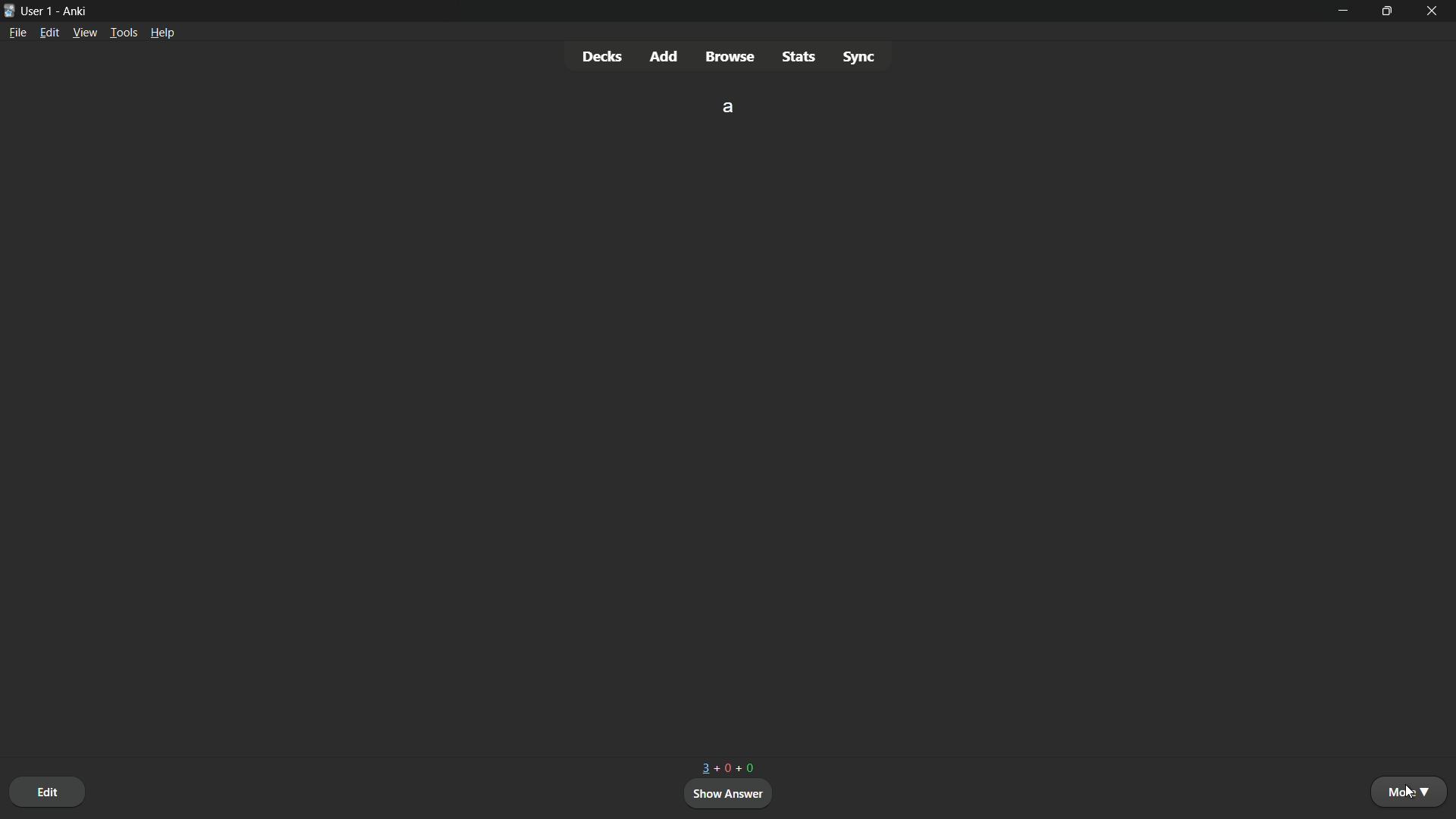 The height and width of the screenshot is (819, 1456). Describe the element at coordinates (1389, 11) in the screenshot. I see `maximize` at that location.